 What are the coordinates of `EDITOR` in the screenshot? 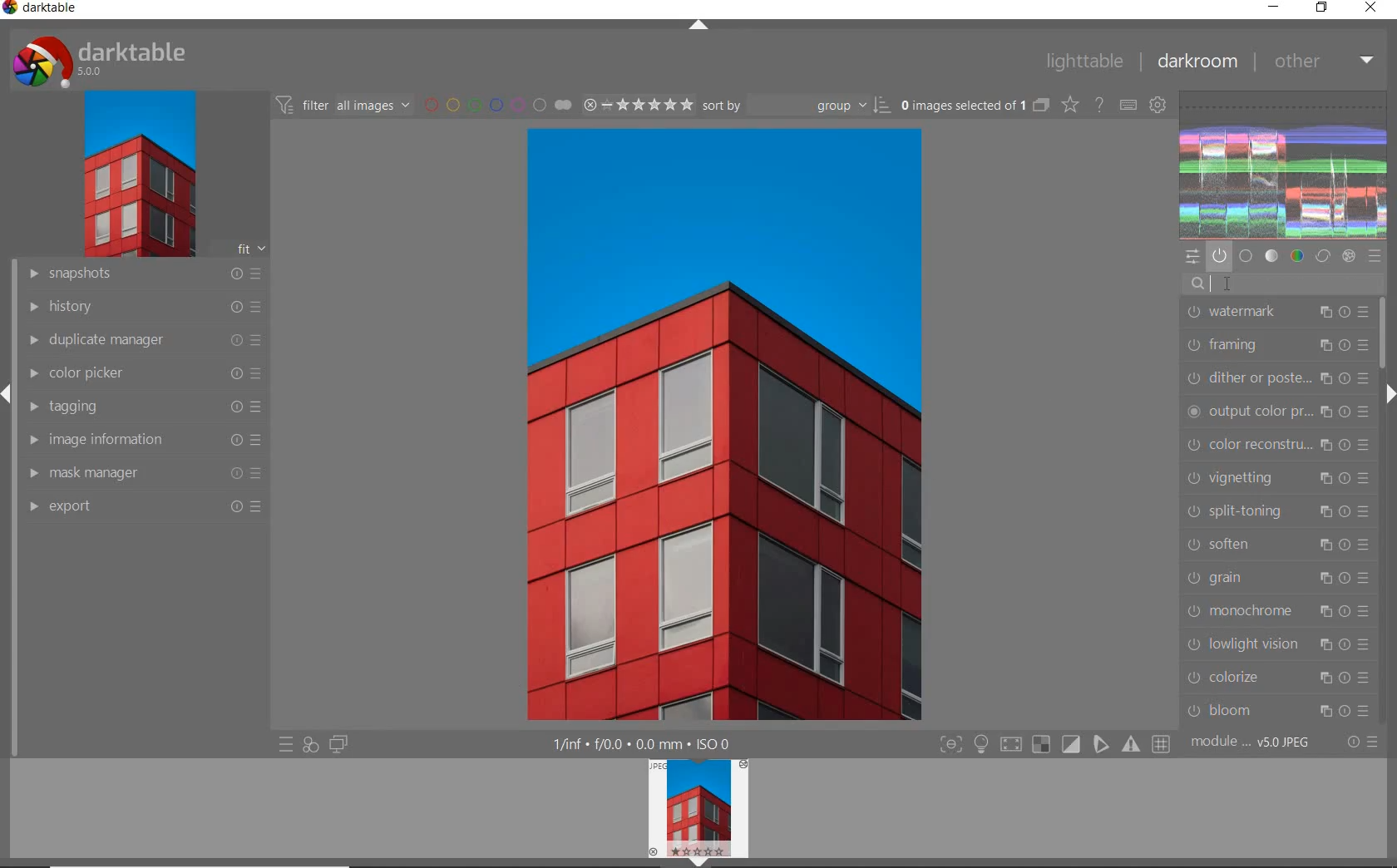 It's located at (1209, 284).